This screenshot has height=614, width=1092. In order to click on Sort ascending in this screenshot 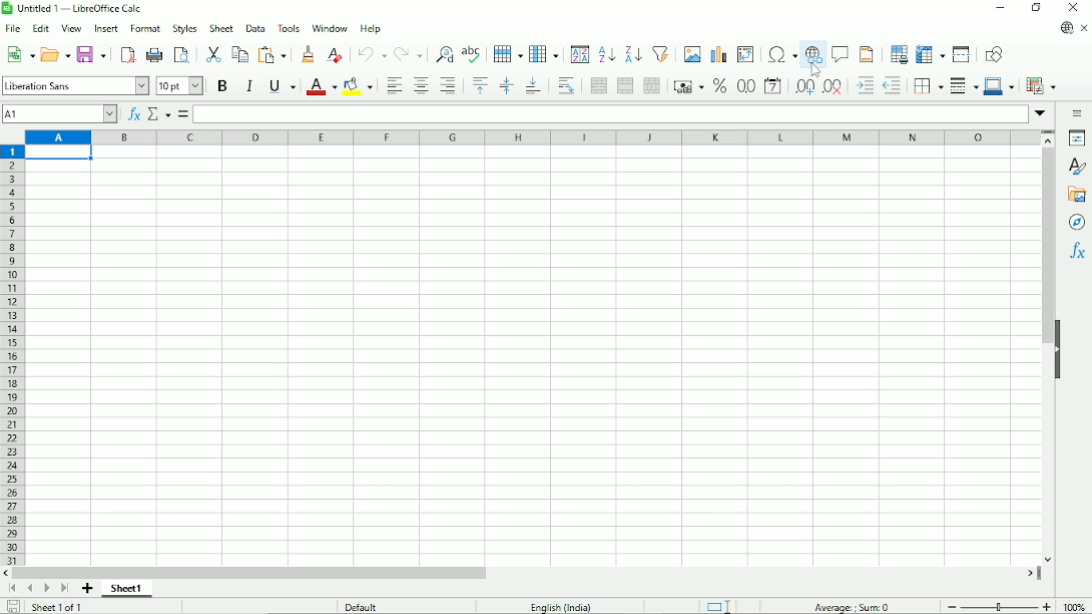, I will do `click(606, 54)`.